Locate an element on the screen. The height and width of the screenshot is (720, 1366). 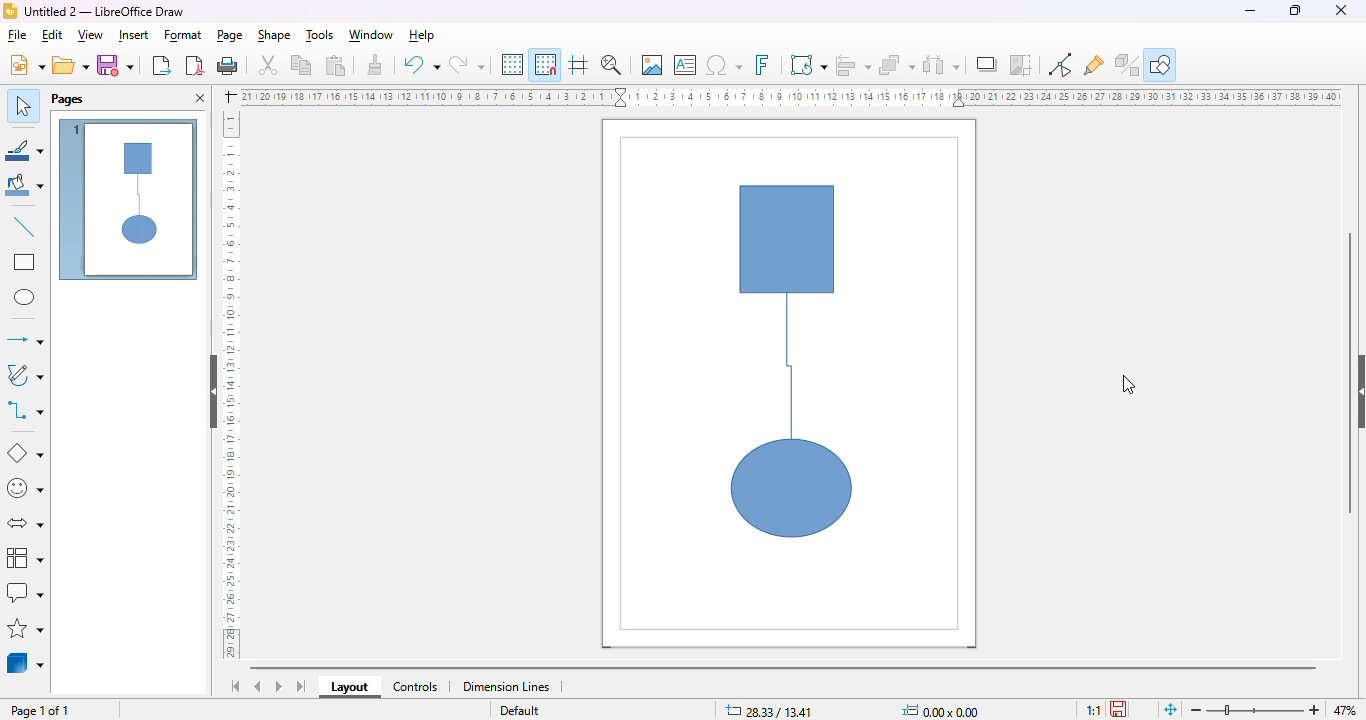
flowchart is located at coordinates (25, 557).